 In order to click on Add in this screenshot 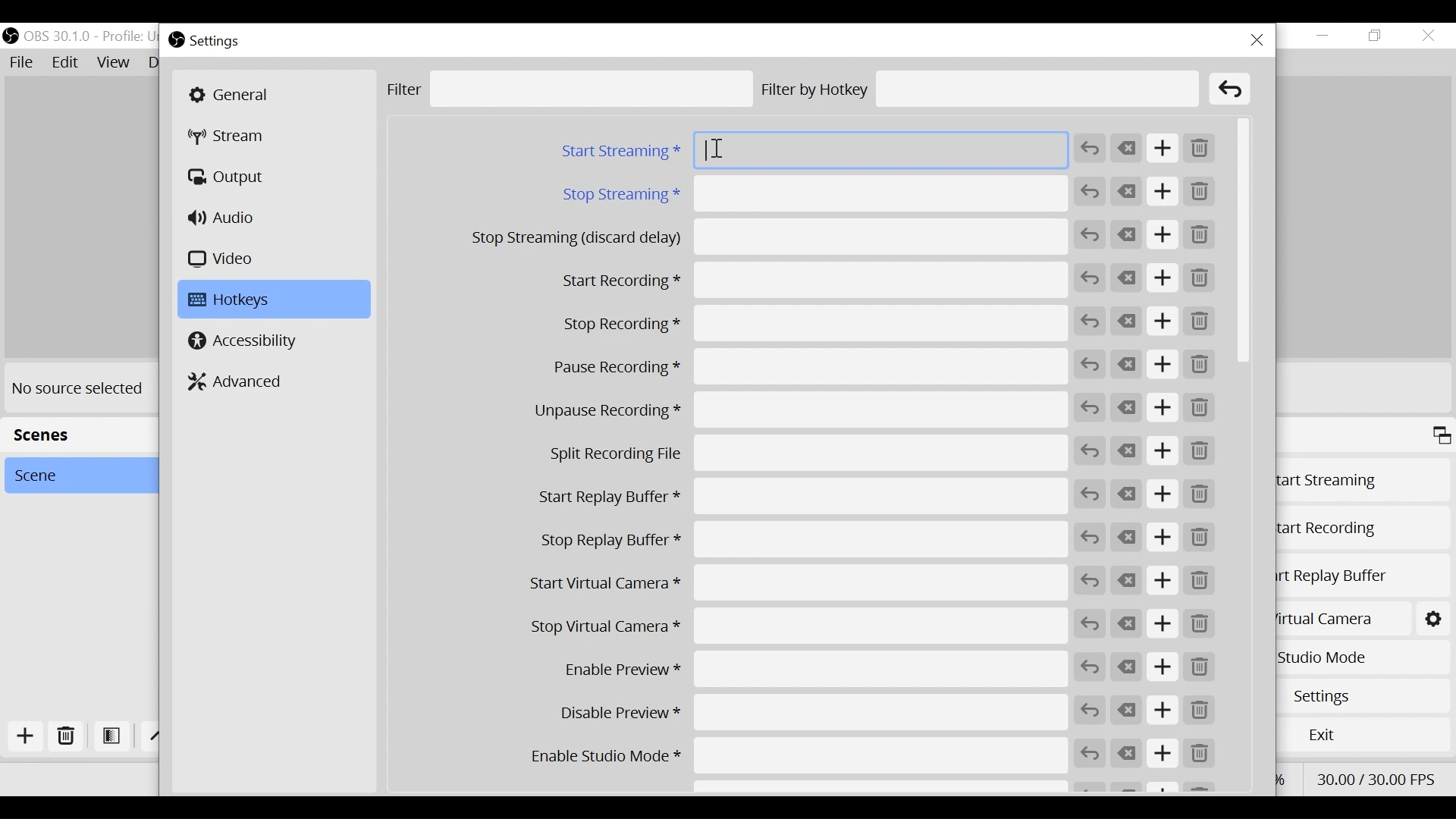, I will do `click(1163, 322)`.